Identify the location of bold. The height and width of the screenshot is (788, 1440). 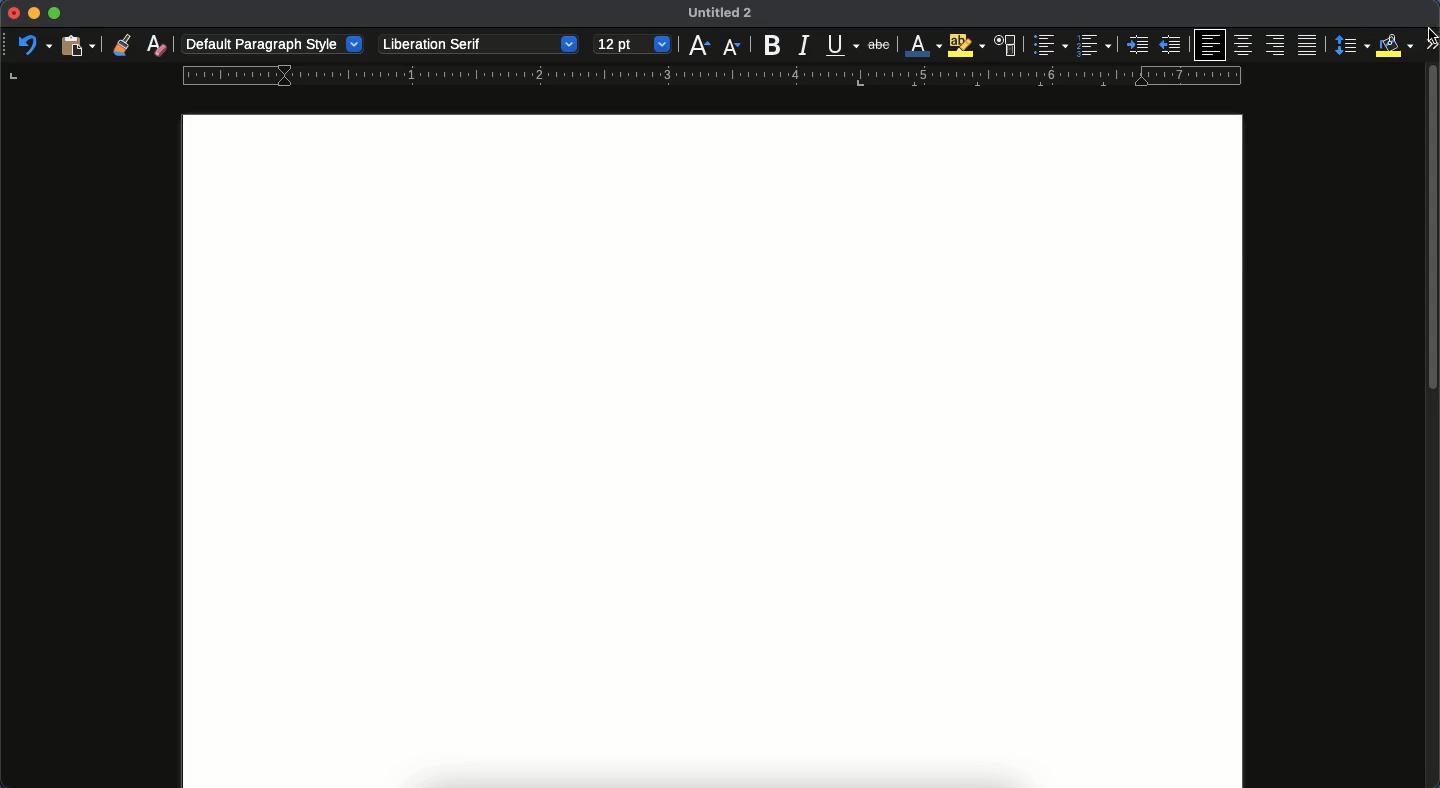
(771, 44).